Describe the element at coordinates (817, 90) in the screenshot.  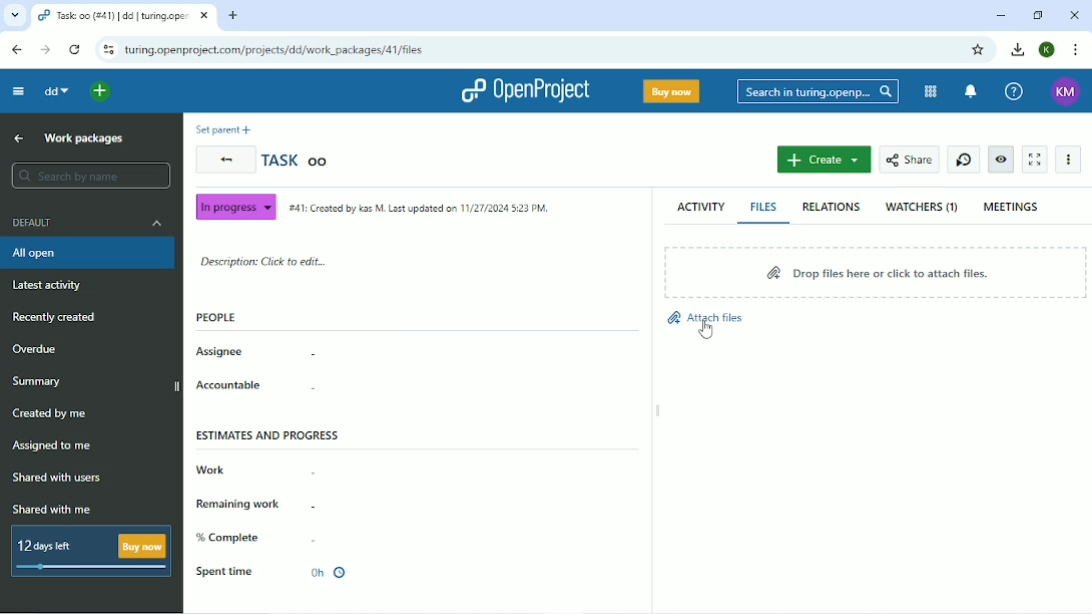
I see `Search` at that location.